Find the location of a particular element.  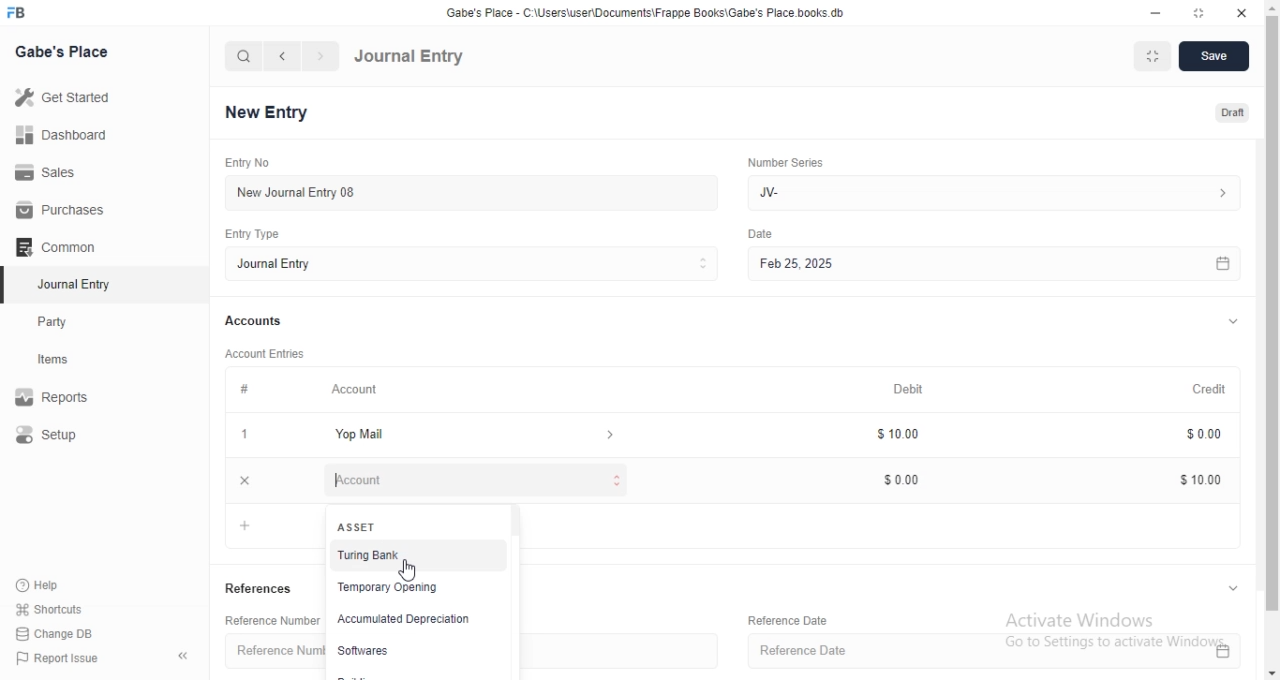

Gabe's Place is located at coordinates (61, 52).